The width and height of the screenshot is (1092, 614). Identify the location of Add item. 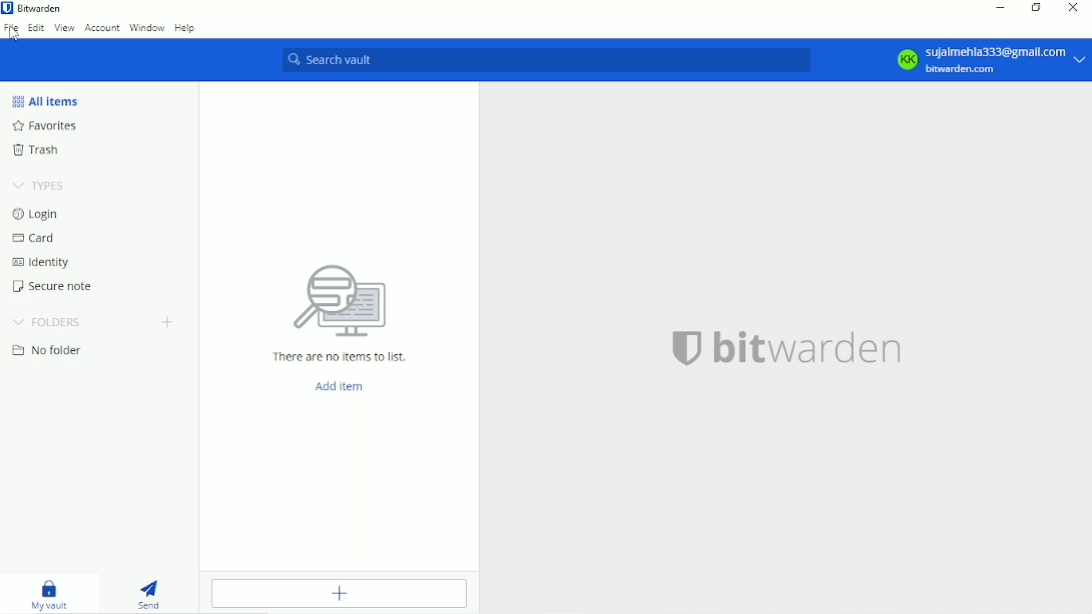
(340, 594).